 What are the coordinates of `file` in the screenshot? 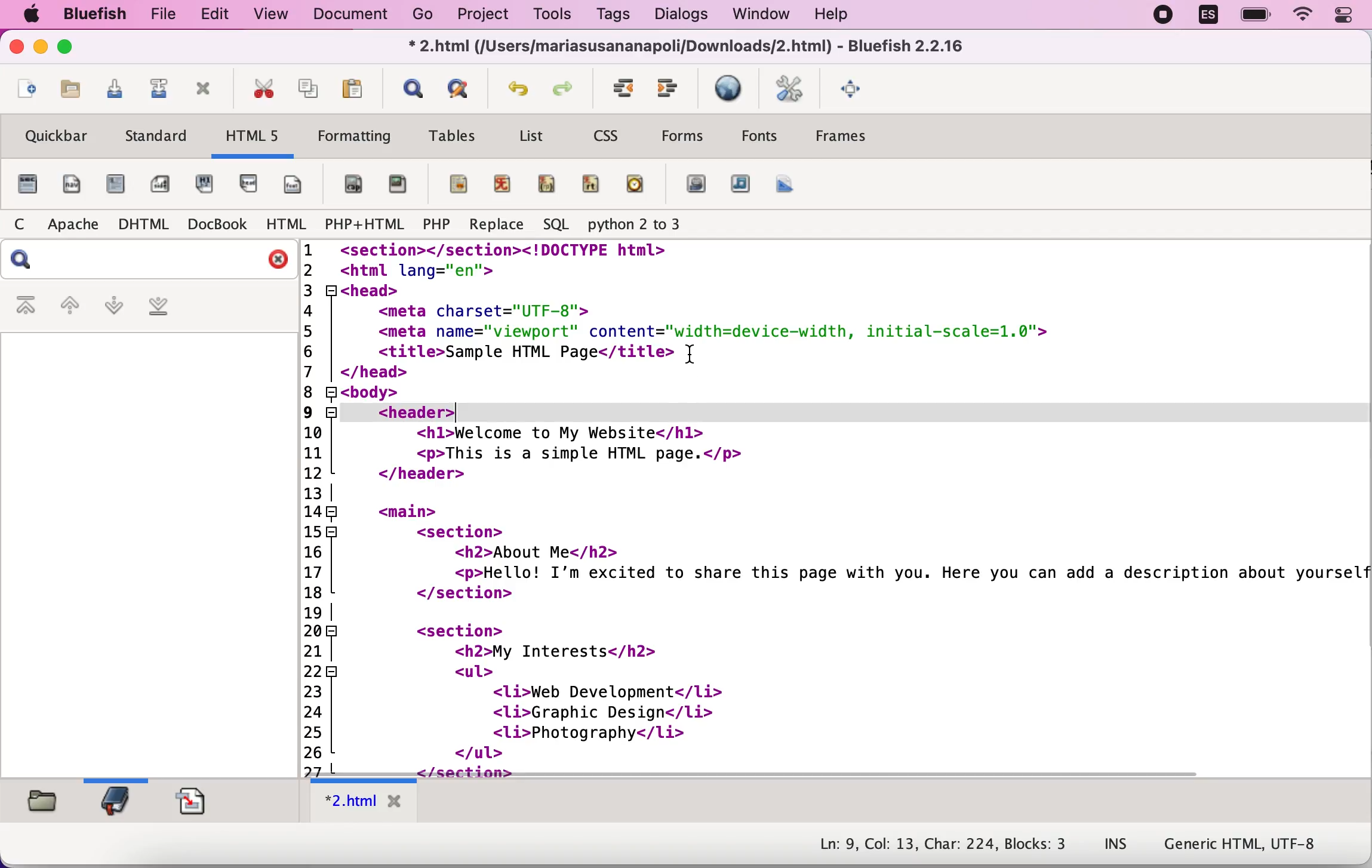 It's located at (167, 15).